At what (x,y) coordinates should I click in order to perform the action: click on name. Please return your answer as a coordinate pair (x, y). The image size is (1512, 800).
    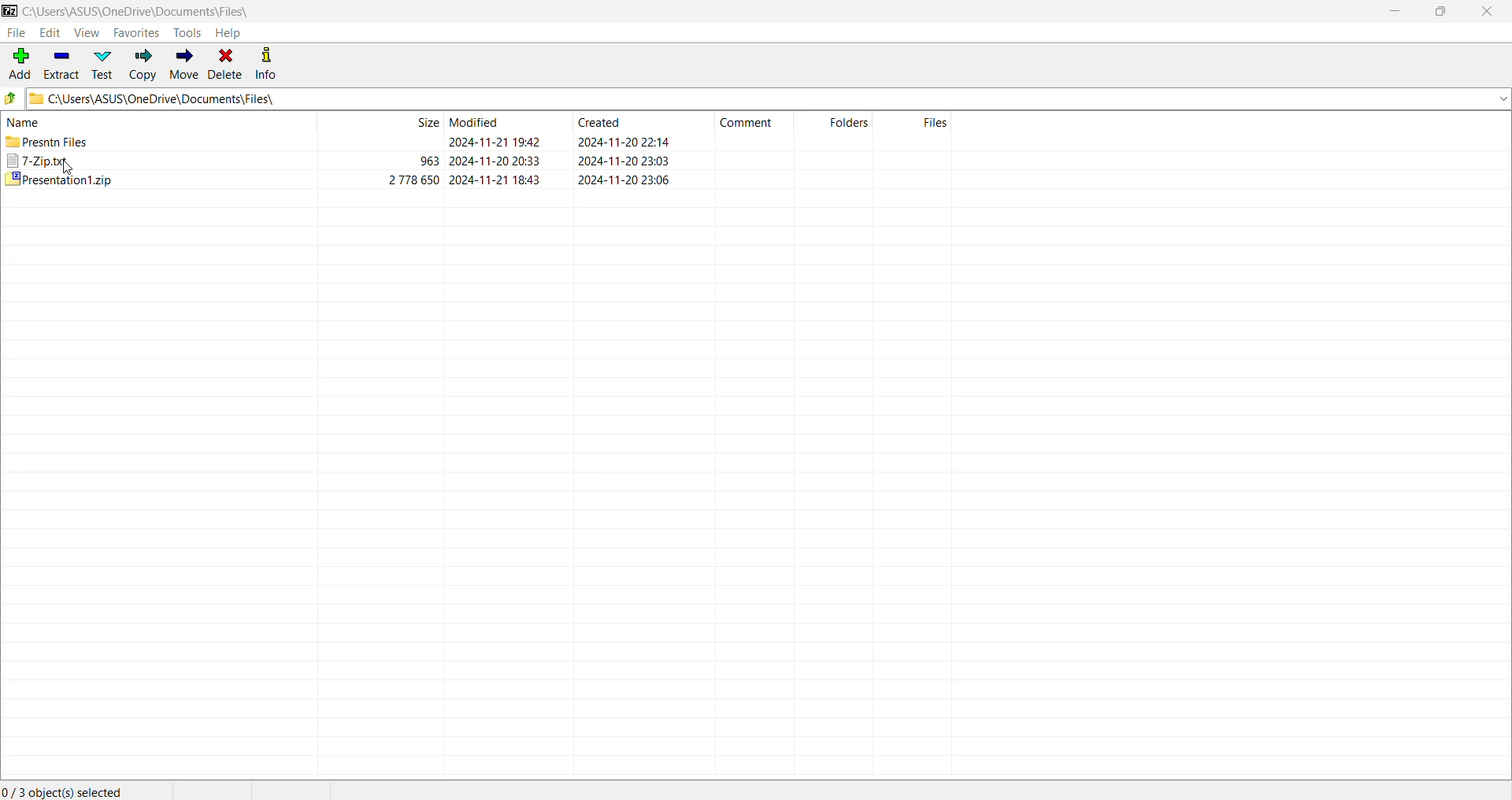
    Looking at the image, I should click on (24, 122).